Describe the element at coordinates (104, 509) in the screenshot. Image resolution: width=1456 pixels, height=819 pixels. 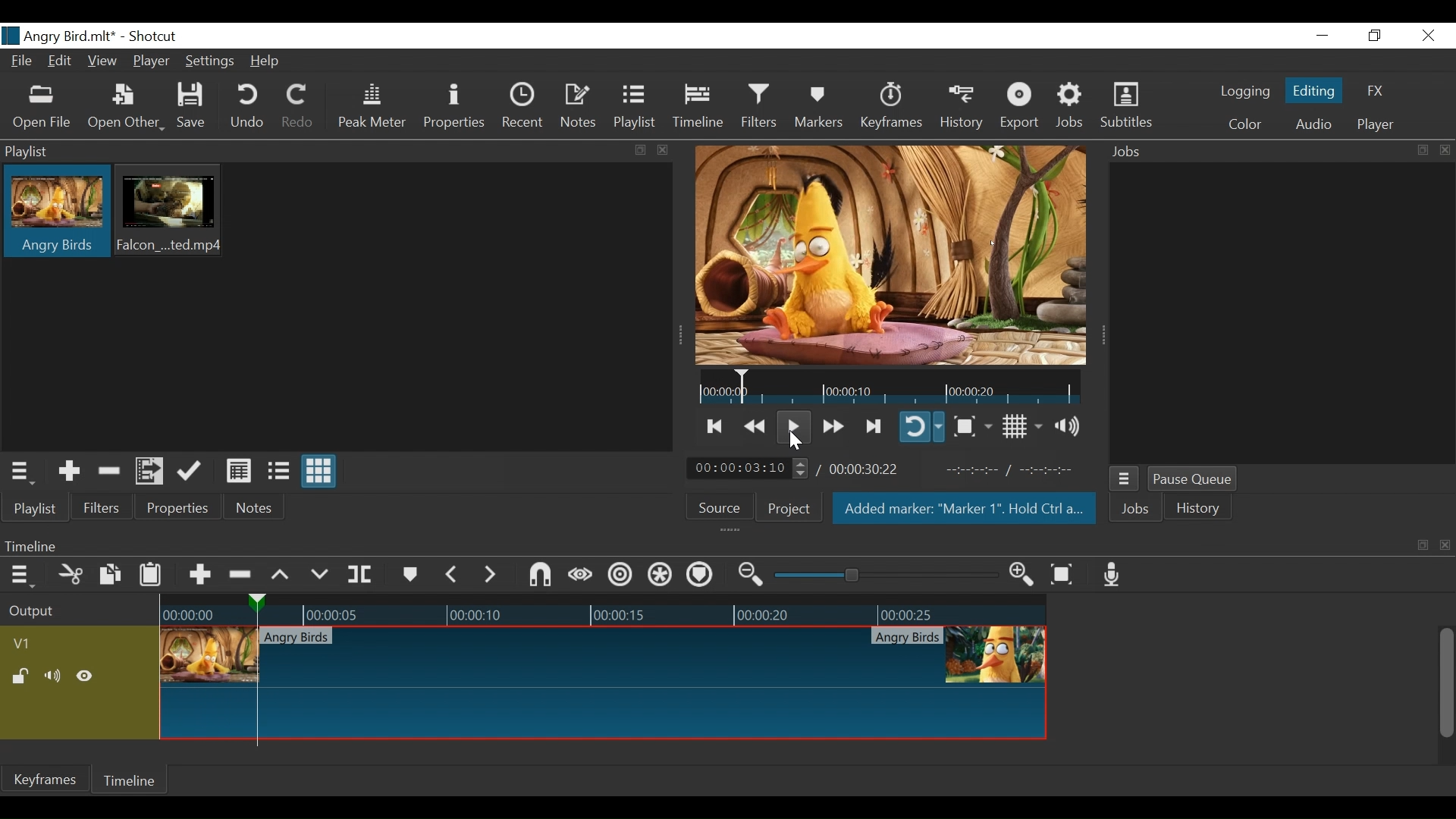
I see `Filters` at that location.